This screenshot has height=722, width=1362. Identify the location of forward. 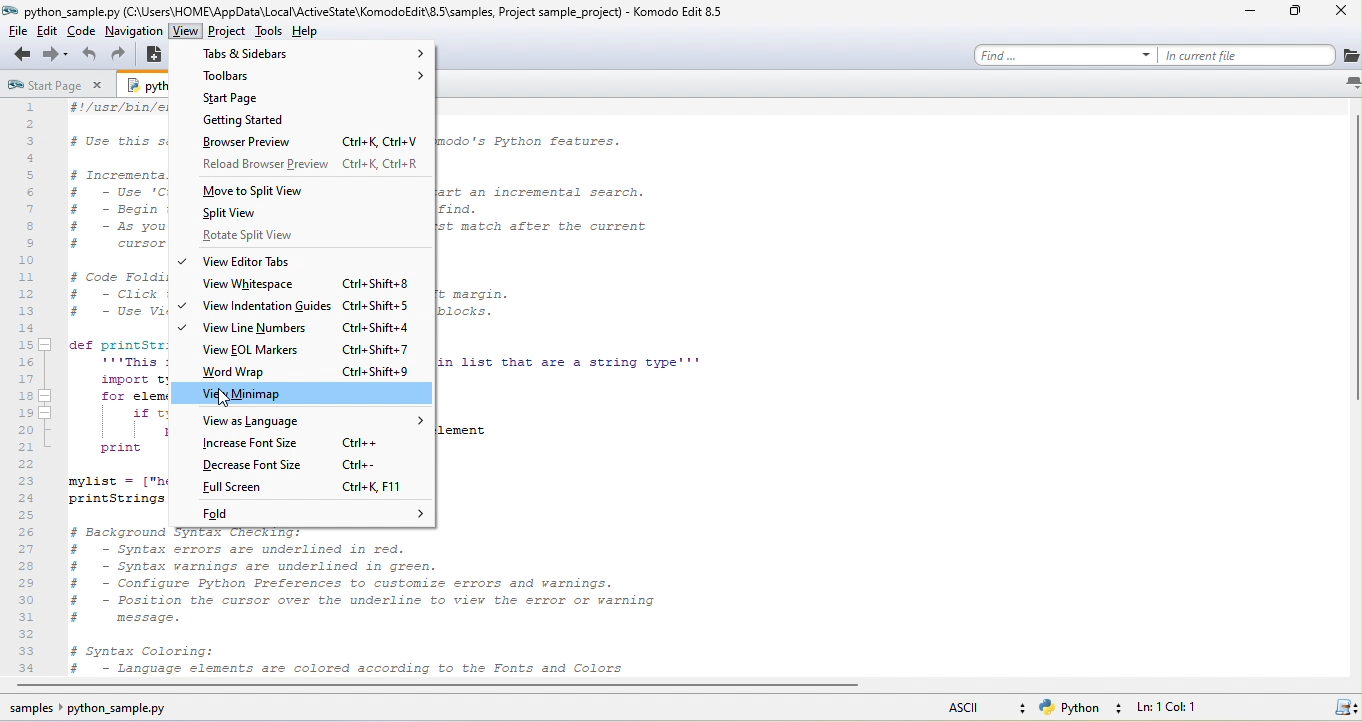
(58, 58).